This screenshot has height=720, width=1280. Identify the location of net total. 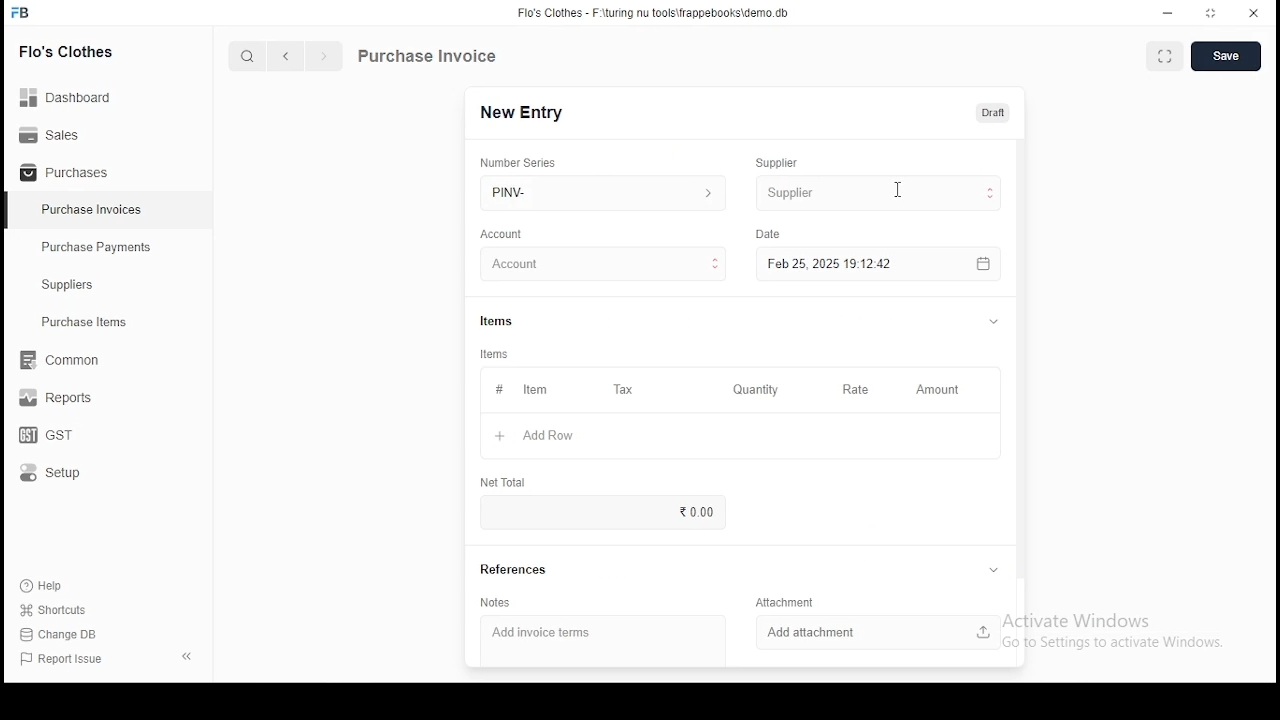
(502, 481).